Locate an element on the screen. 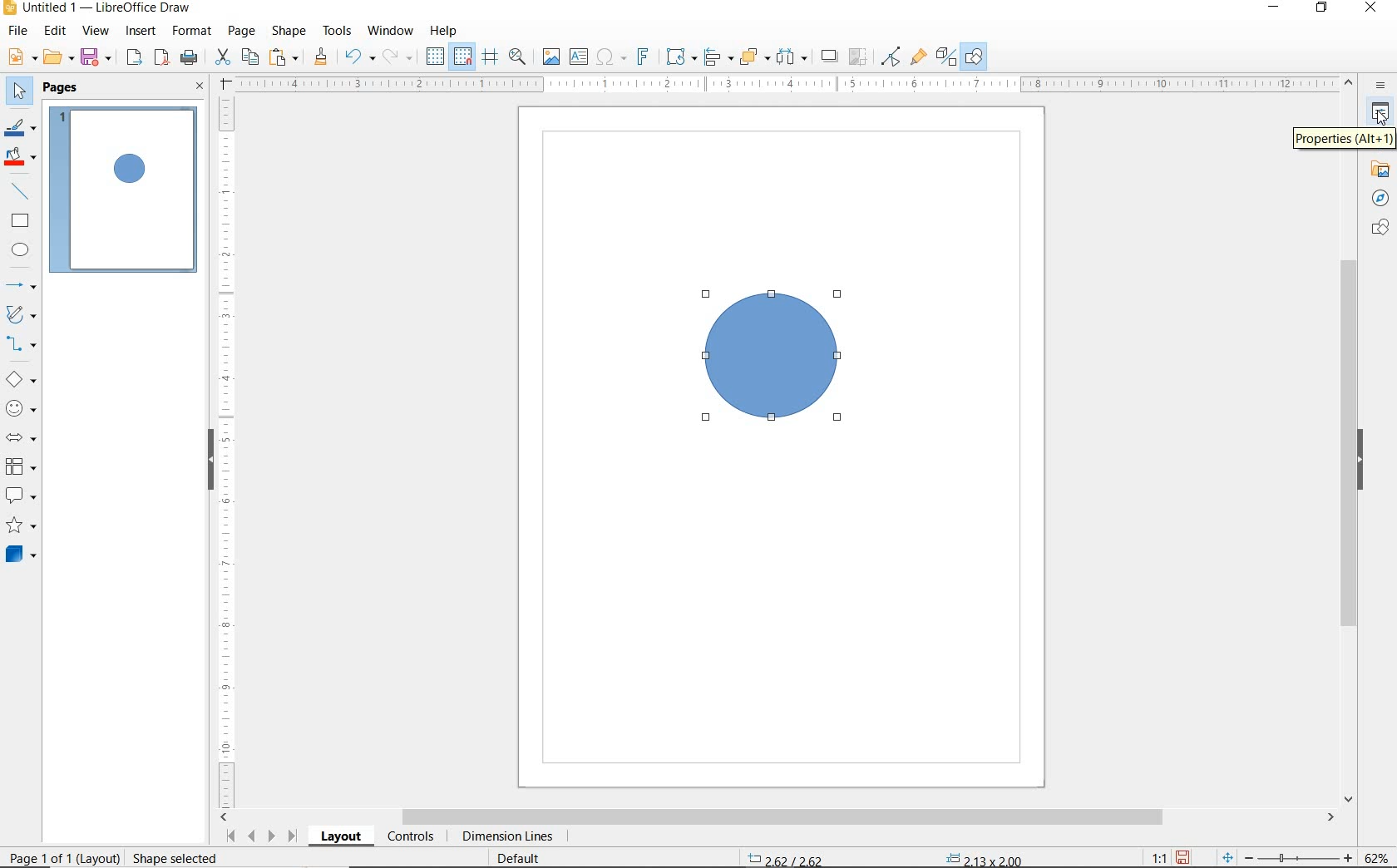  REDO is located at coordinates (398, 57).